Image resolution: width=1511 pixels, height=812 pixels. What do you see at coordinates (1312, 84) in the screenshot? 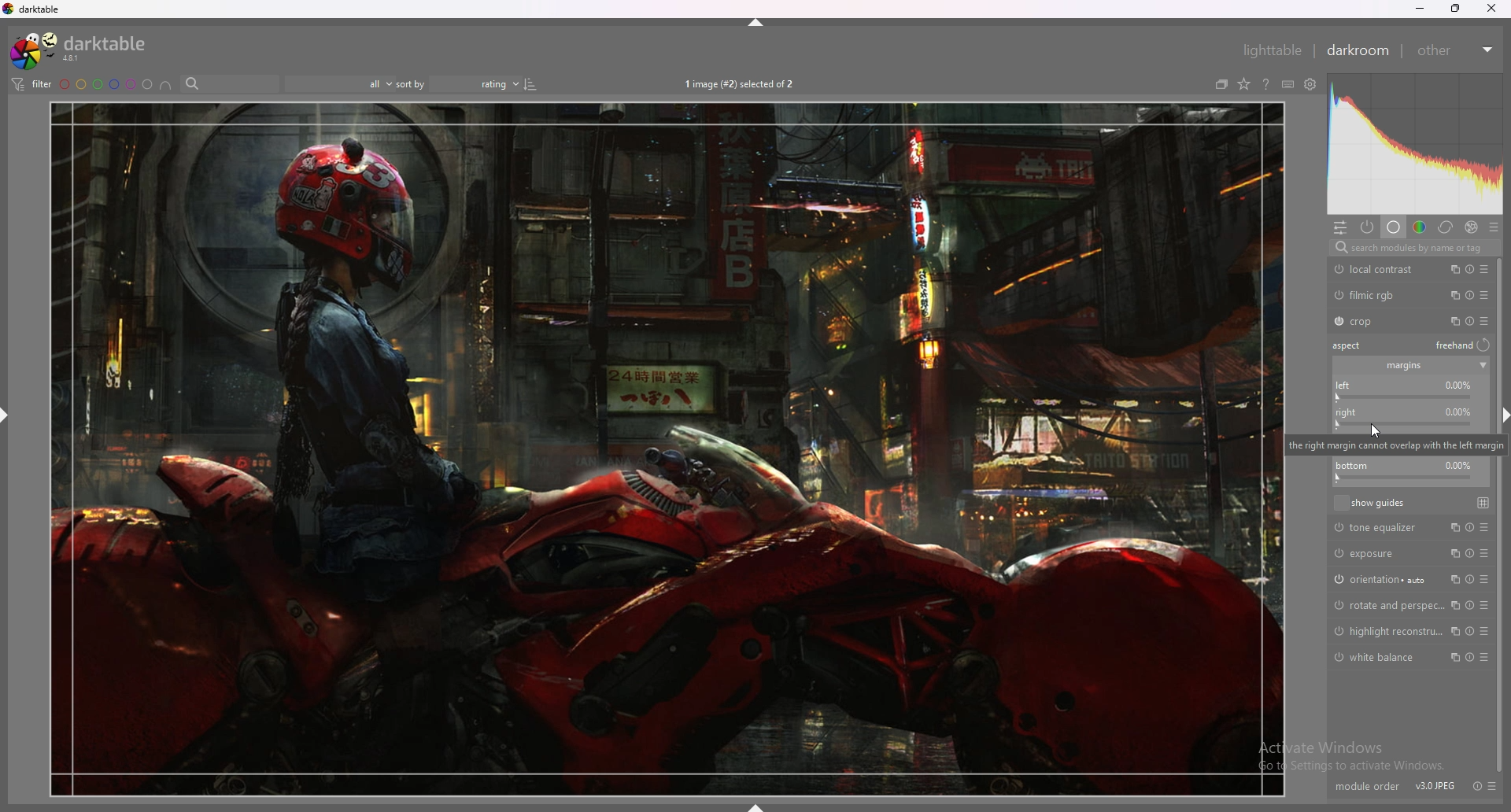
I see `see global preferences` at bounding box center [1312, 84].